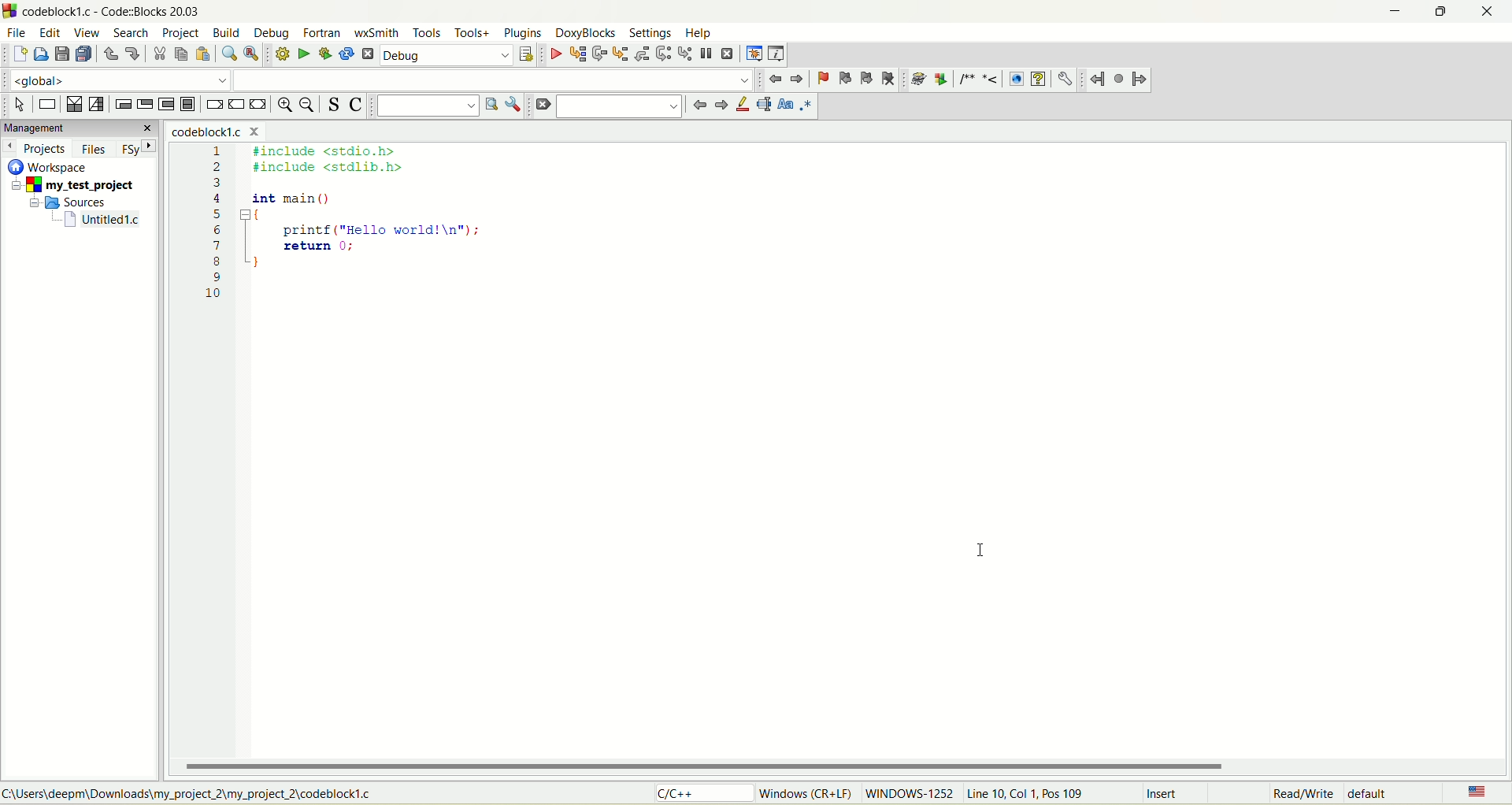 This screenshot has width=1512, height=805. I want to click on tools+, so click(472, 33).